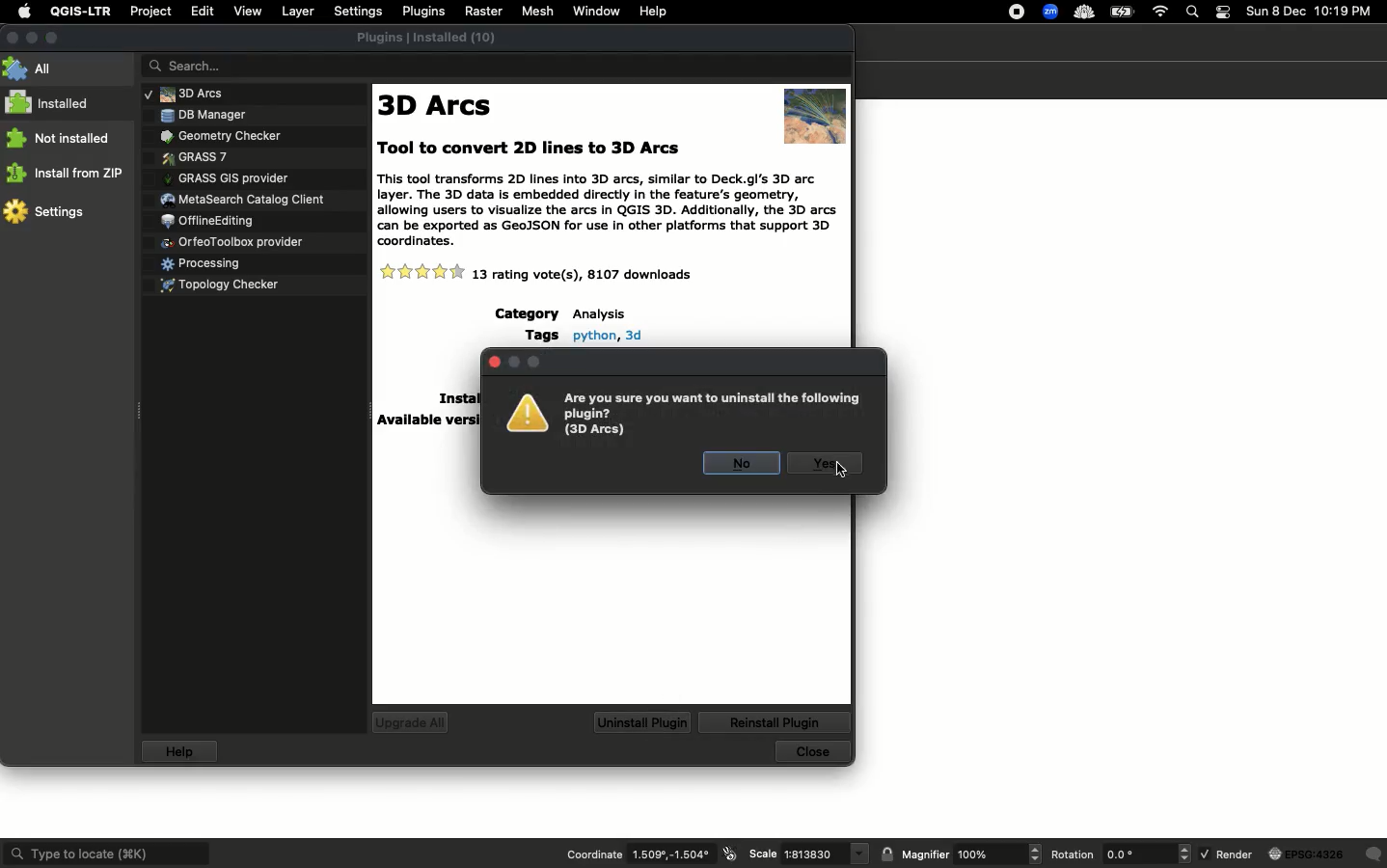  Describe the element at coordinates (610, 272) in the screenshot. I see `Details` at that location.